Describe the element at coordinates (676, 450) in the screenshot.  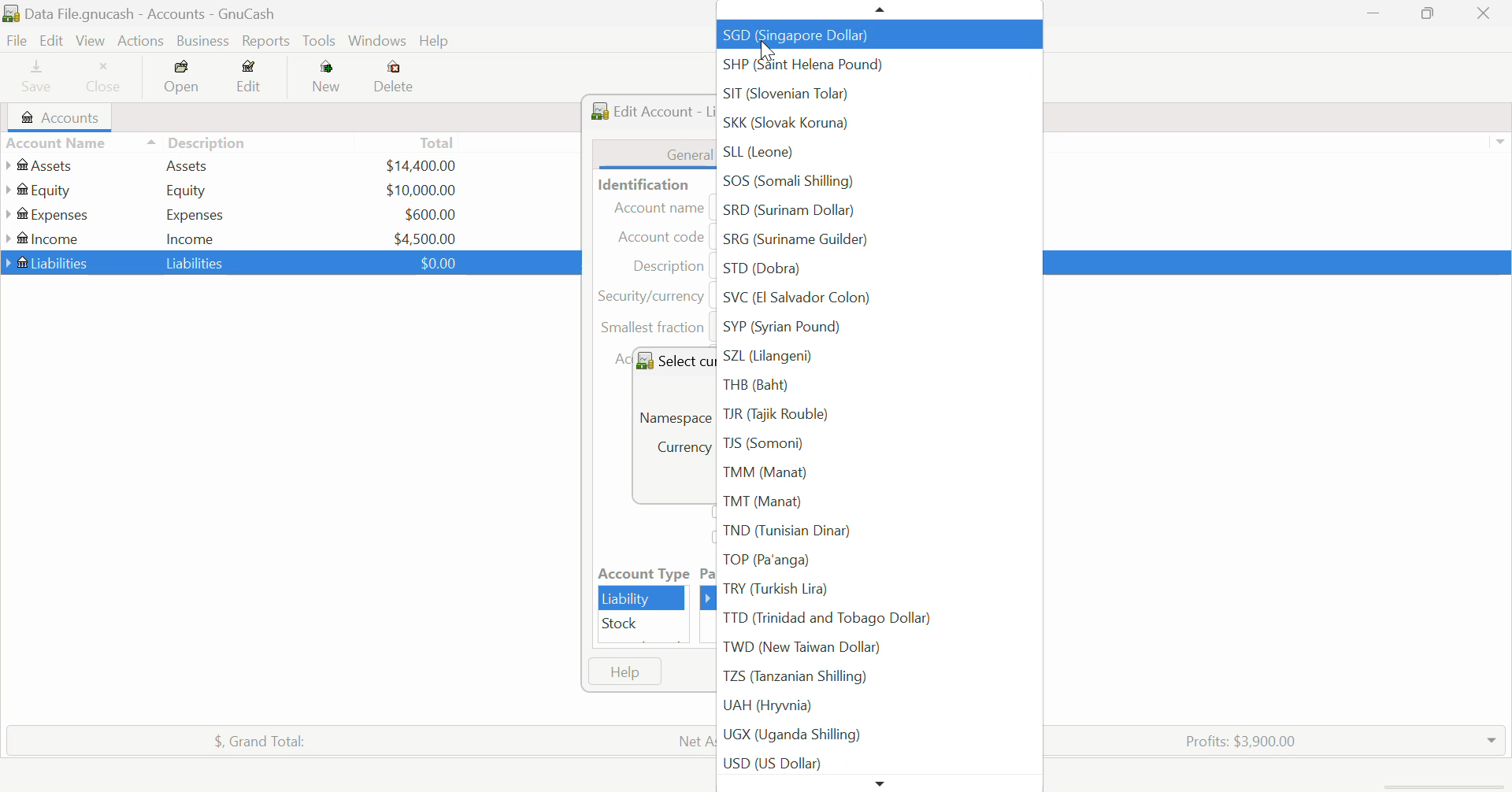
I see `Currency: USD (US Dollar)` at that location.